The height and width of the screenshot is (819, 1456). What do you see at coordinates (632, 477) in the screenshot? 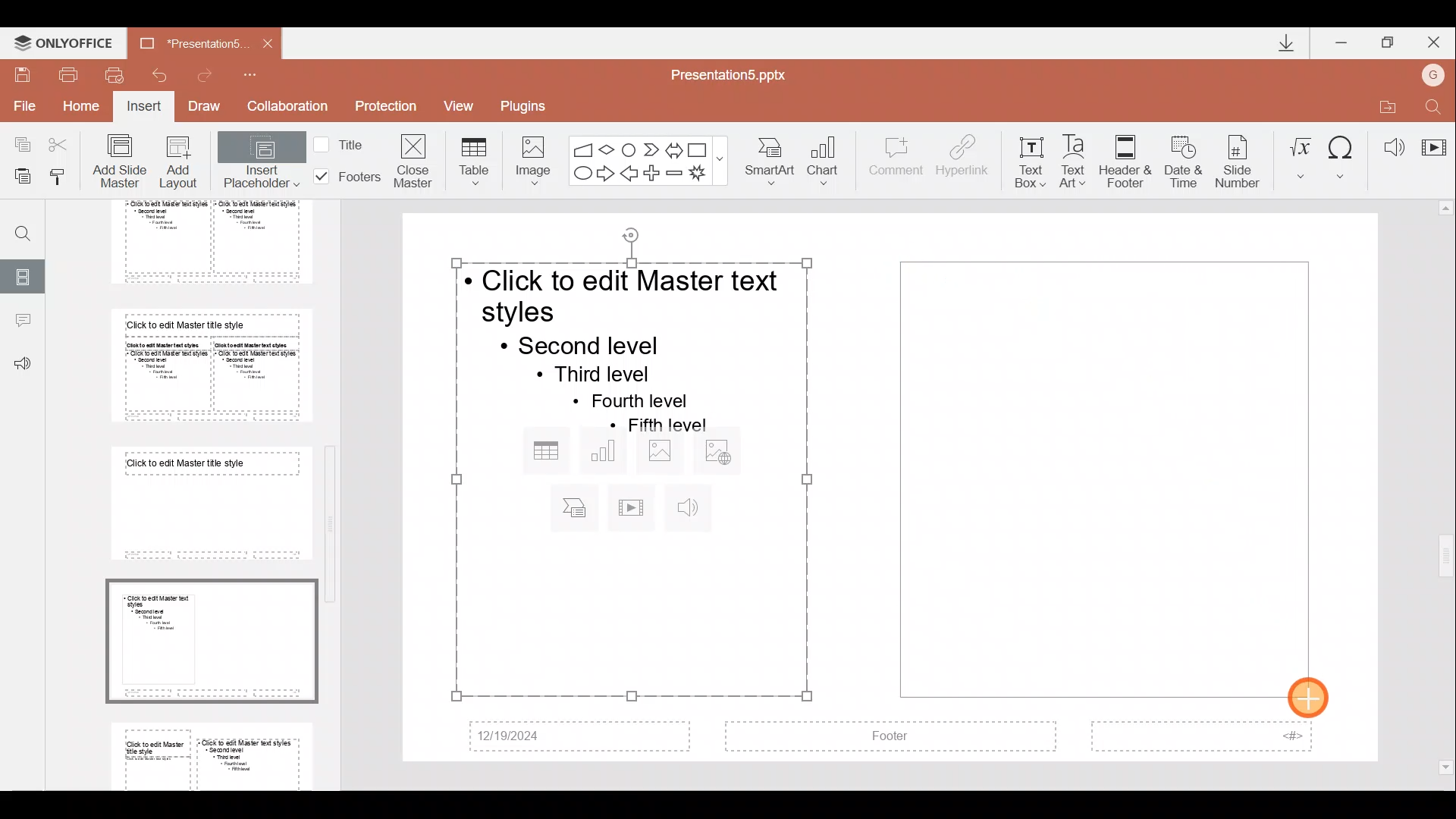
I see `Inserted placeholder on presentation slide` at bounding box center [632, 477].